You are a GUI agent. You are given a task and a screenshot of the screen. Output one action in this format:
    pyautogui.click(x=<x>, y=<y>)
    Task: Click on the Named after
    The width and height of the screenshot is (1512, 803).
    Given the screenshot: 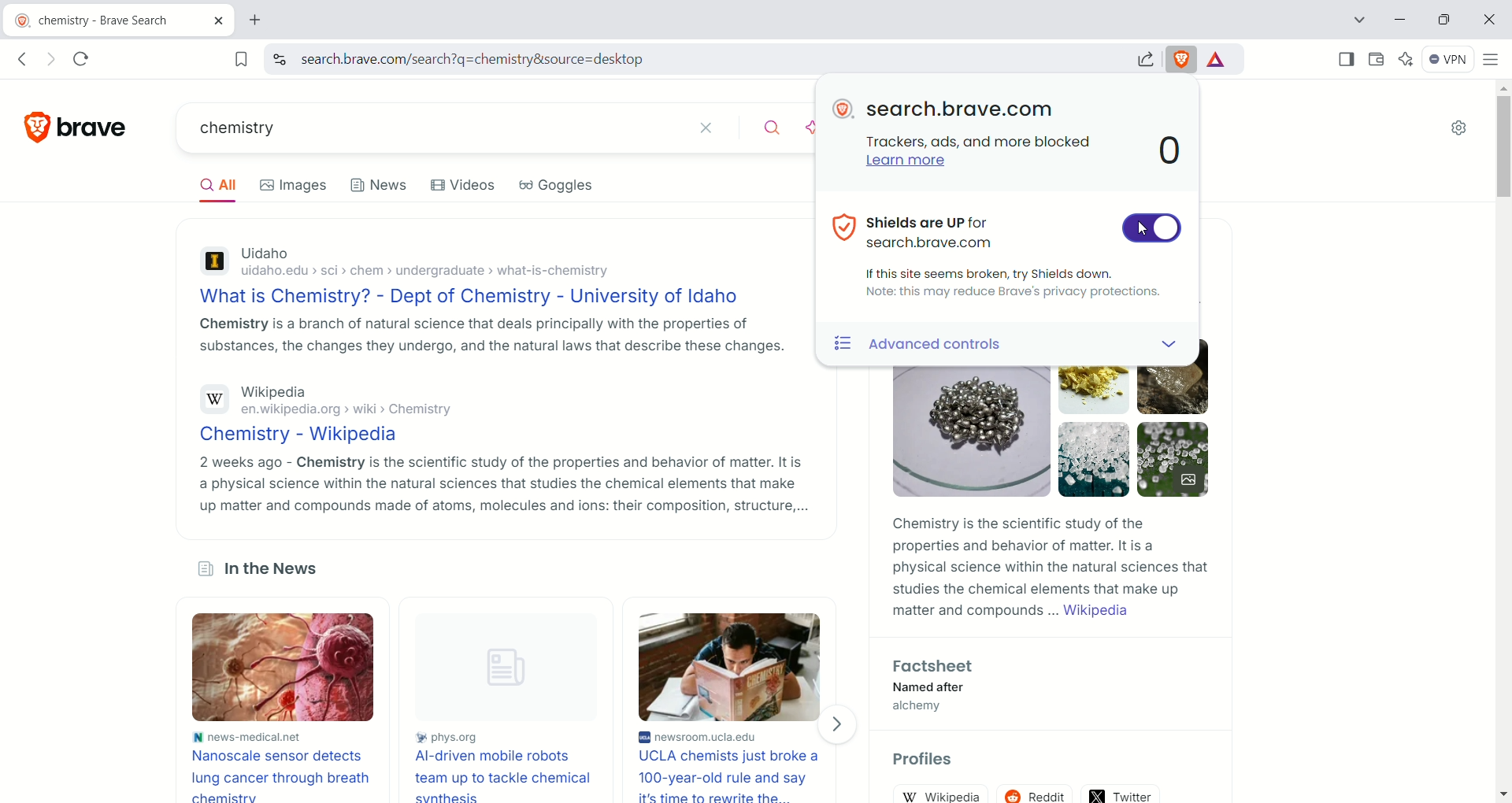 What is the action you would take?
    pyautogui.click(x=930, y=688)
    